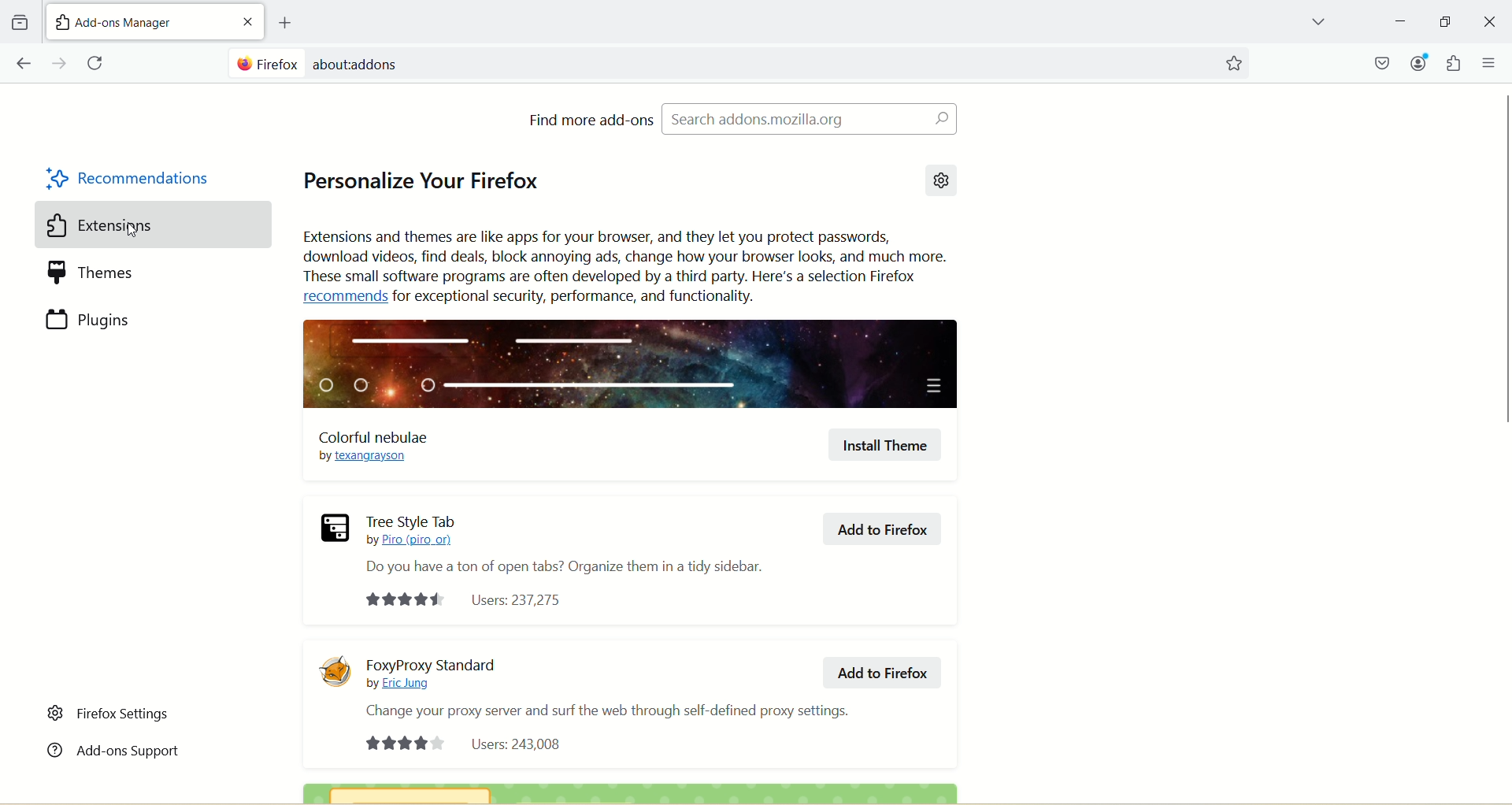  I want to click on Users: 237275, so click(469, 600).